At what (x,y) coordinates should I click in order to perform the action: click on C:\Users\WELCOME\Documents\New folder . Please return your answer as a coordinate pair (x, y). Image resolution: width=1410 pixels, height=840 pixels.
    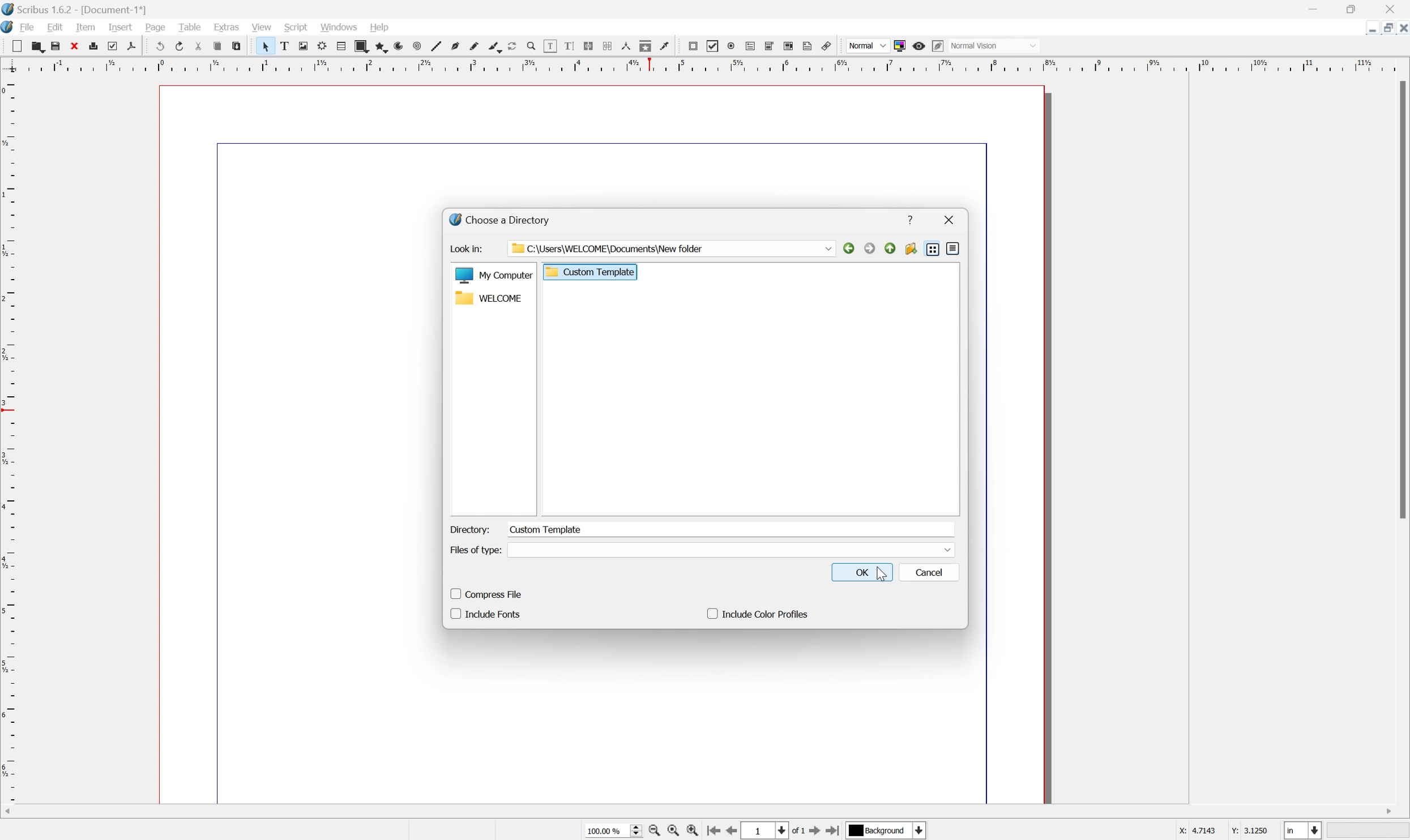
    Looking at the image, I should click on (682, 248).